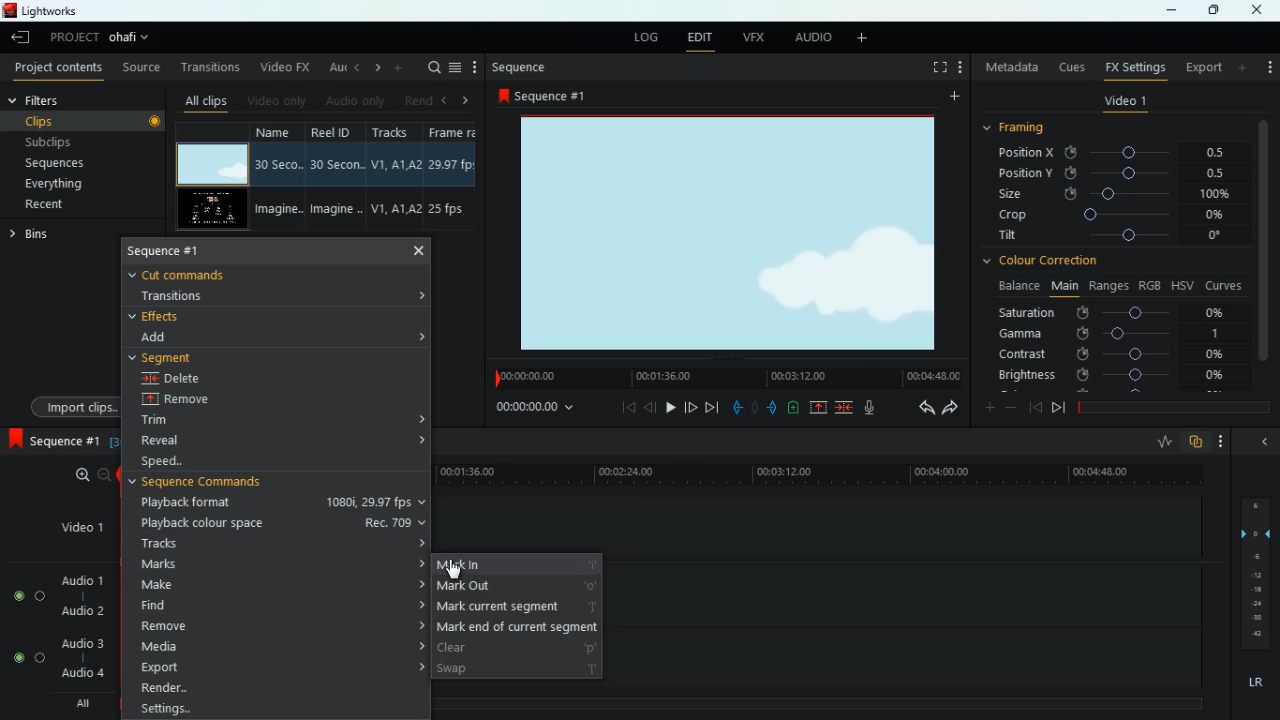  What do you see at coordinates (453, 568) in the screenshot?
I see `cursor` at bounding box center [453, 568].